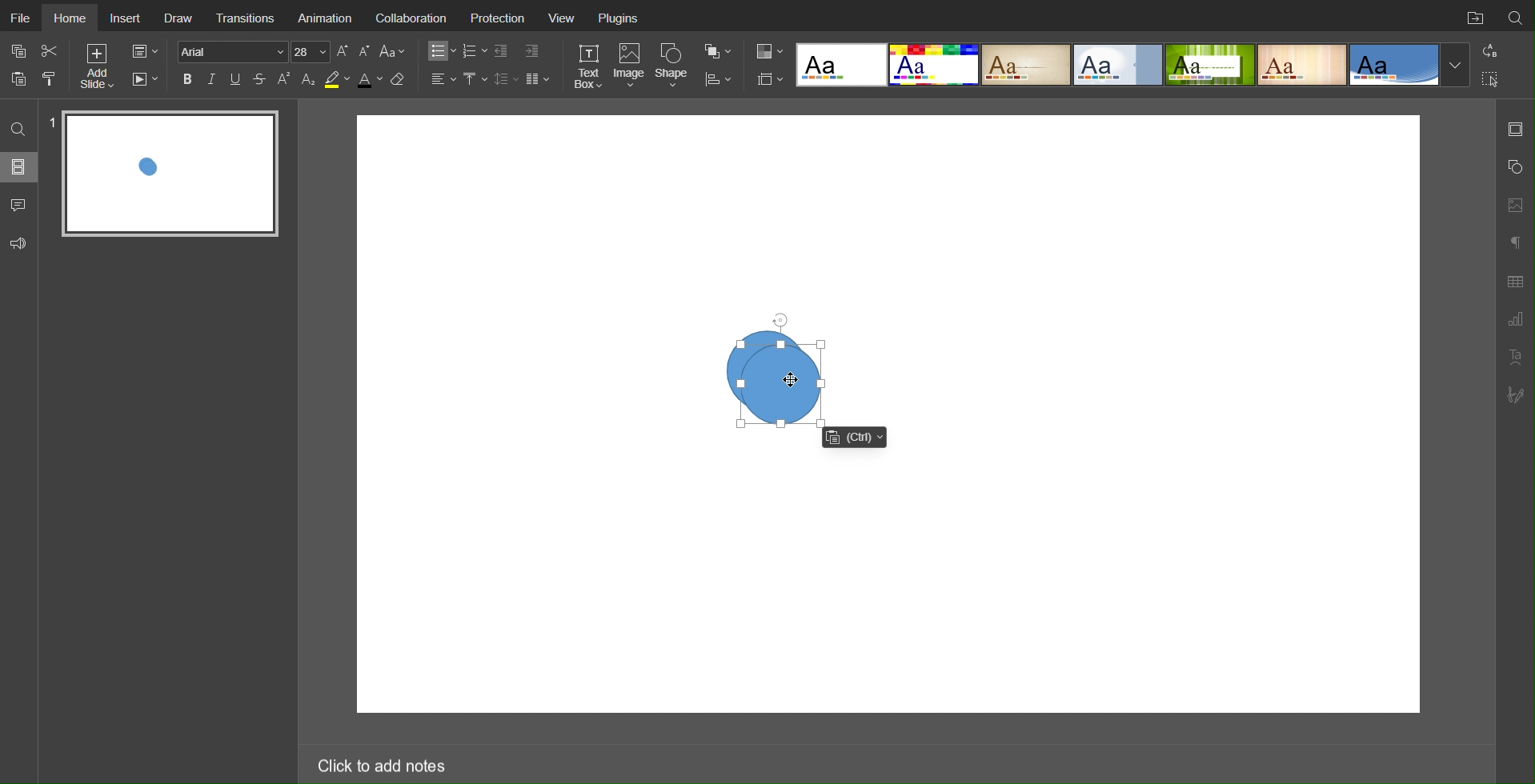  Describe the element at coordinates (1515, 129) in the screenshot. I see `Slide Settings` at that location.